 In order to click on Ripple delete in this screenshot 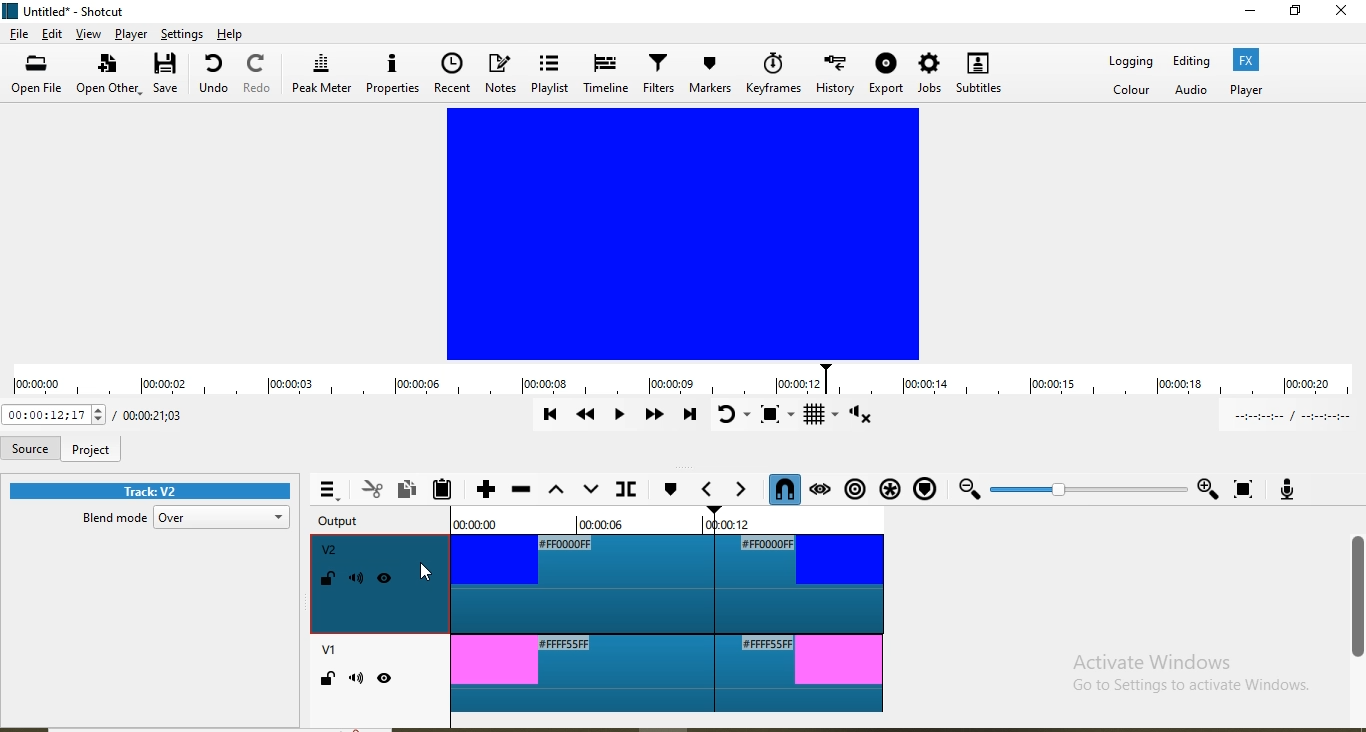, I will do `click(521, 490)`.